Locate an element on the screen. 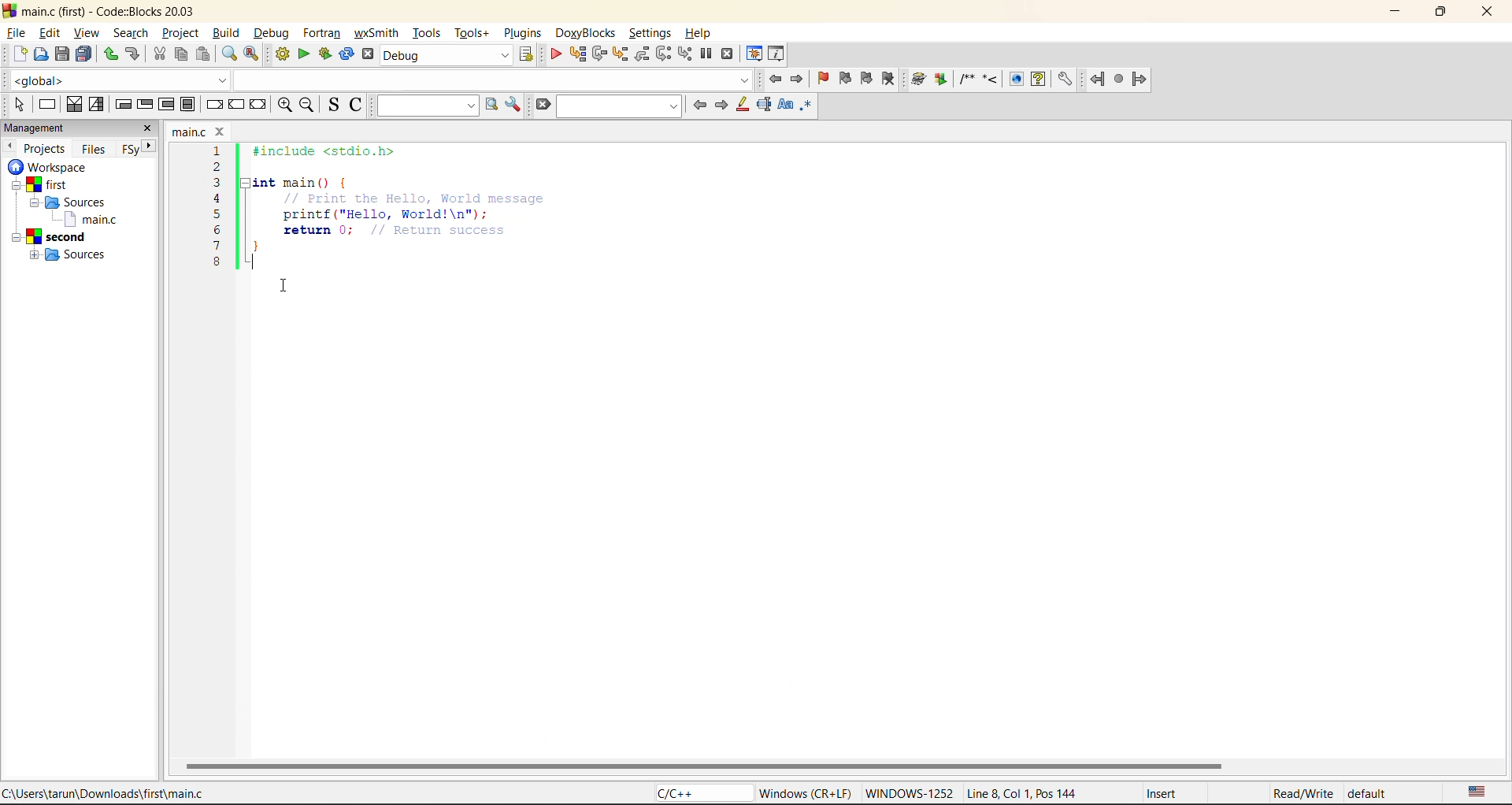 The width and height of the screenshot is (1512, 805). match case is located at coordinates (787, 105).